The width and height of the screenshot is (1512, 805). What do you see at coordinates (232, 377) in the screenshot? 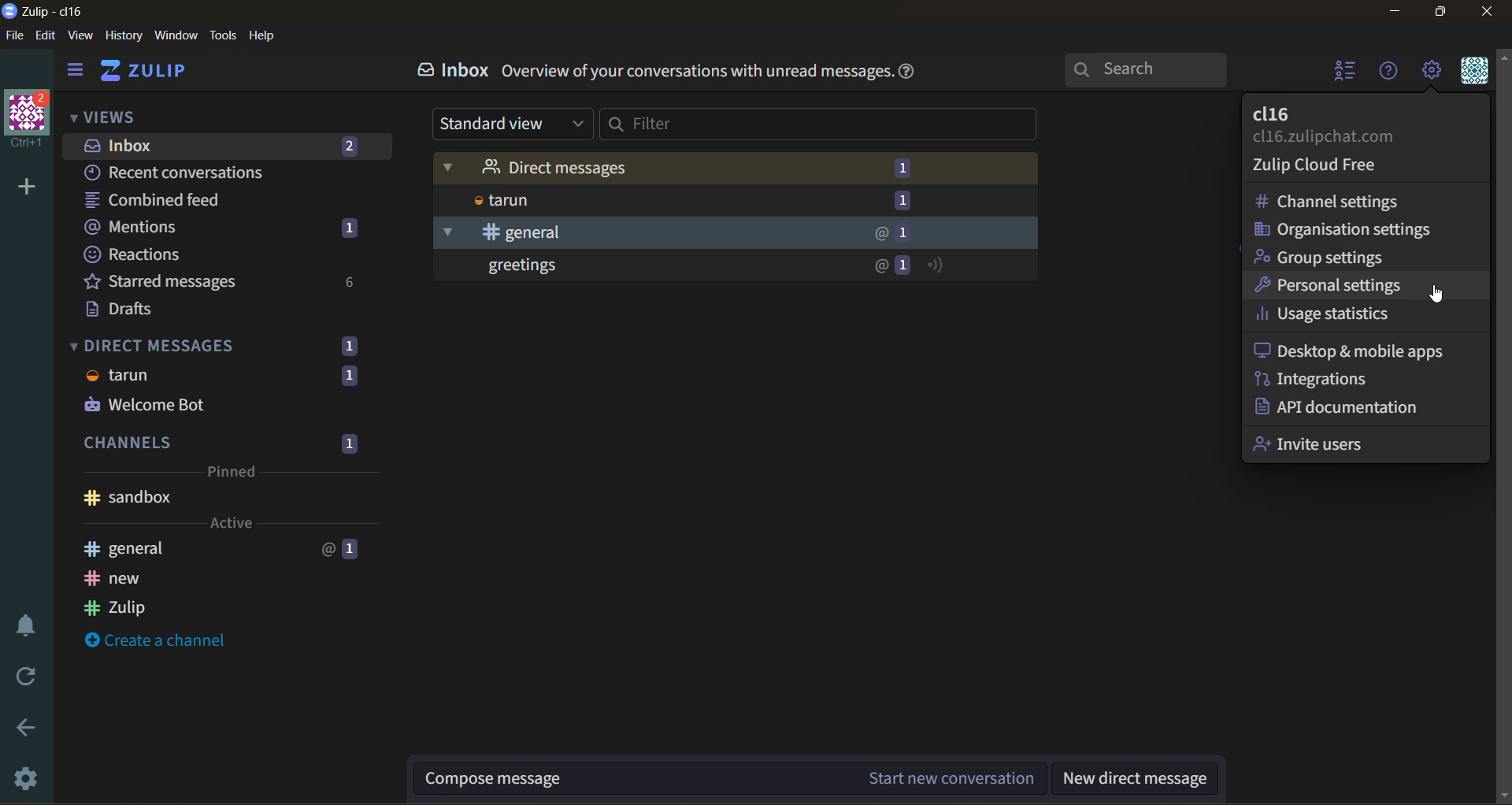
I see `tarun` at bounding box center [232, 377].